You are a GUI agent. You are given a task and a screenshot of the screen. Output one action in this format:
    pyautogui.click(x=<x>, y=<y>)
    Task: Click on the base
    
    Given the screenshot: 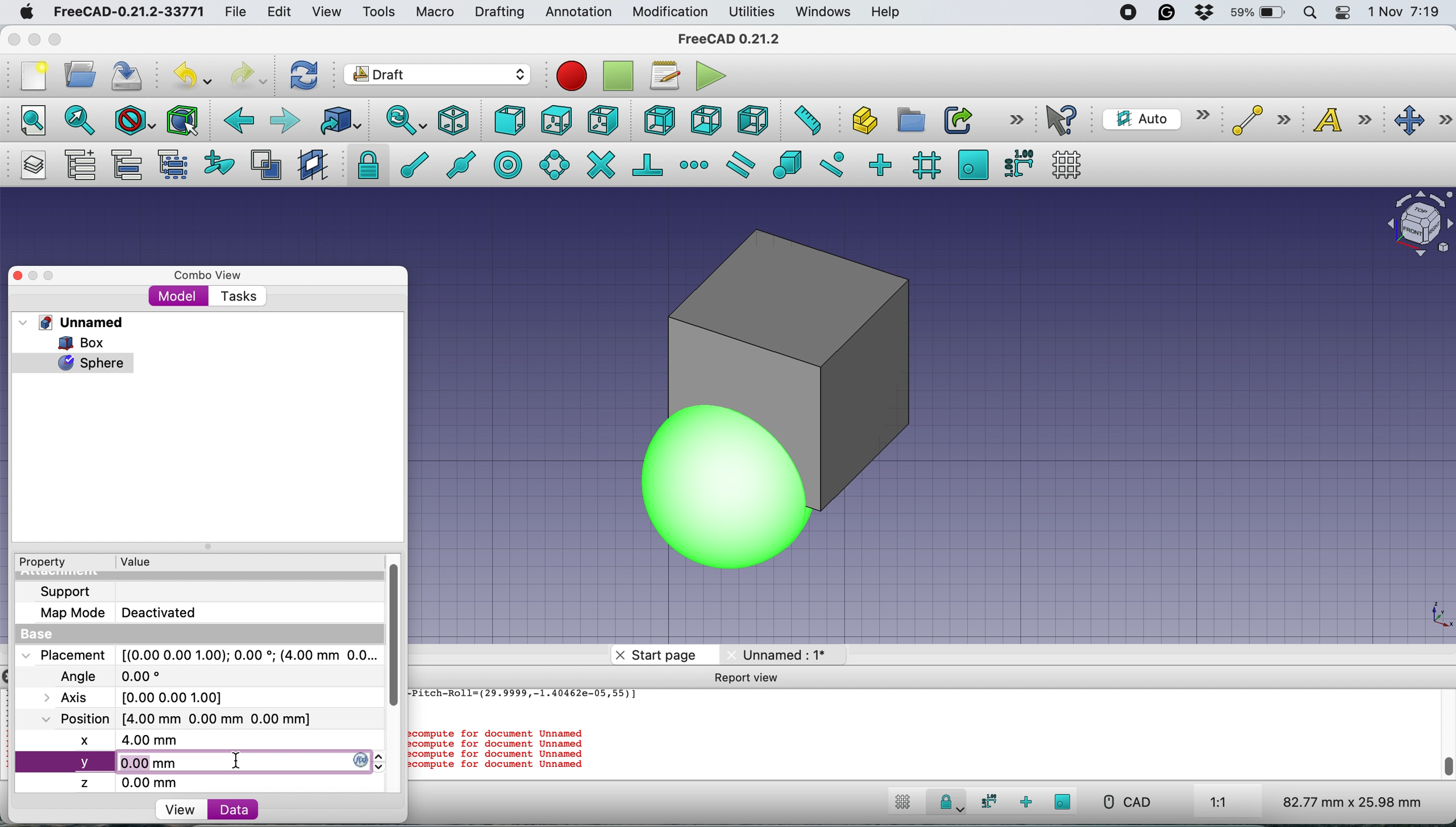 What is the action you would take?
    pyautogui.click(x=40, y=635)
    